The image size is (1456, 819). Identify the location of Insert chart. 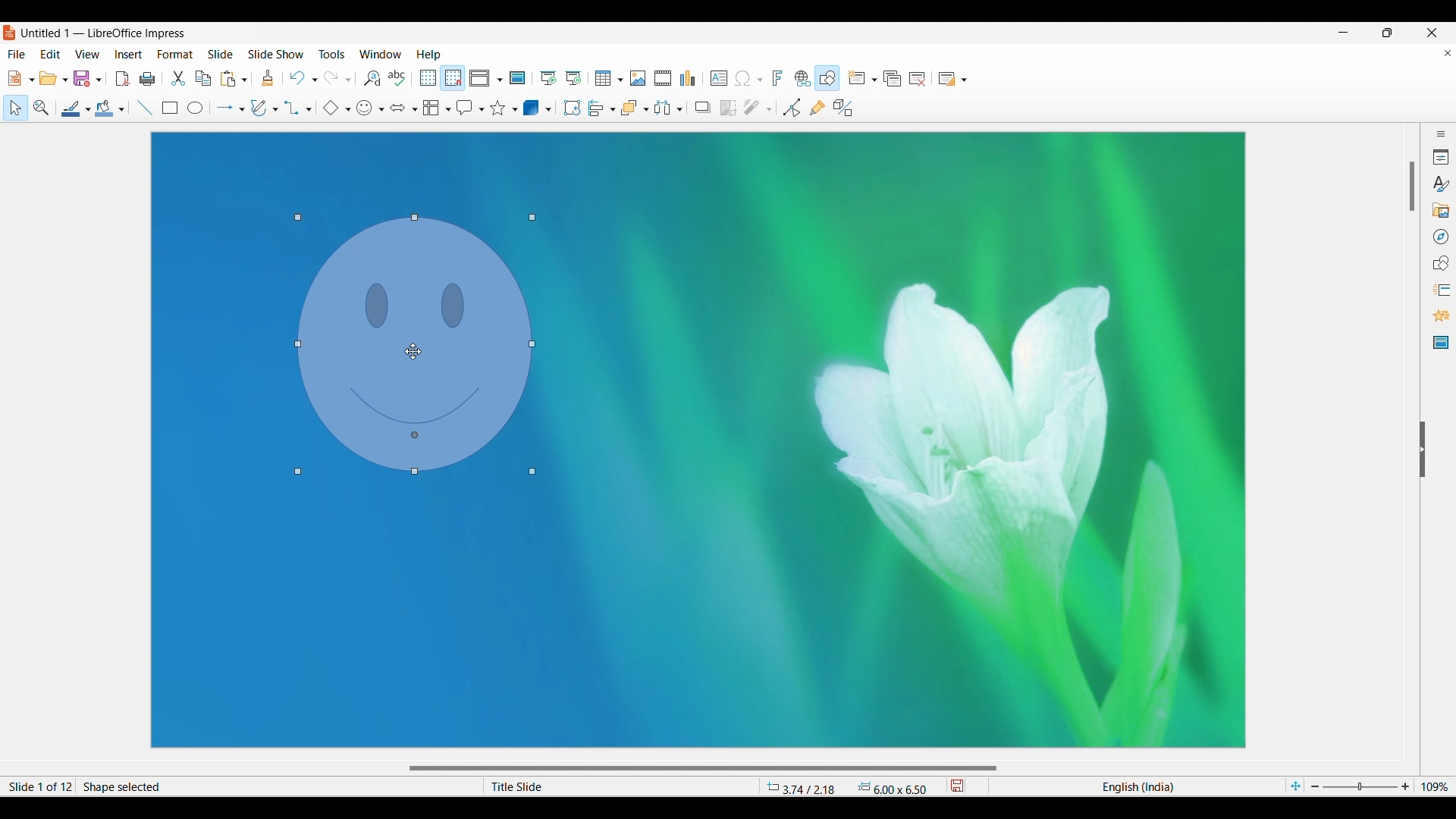
(688, 78).